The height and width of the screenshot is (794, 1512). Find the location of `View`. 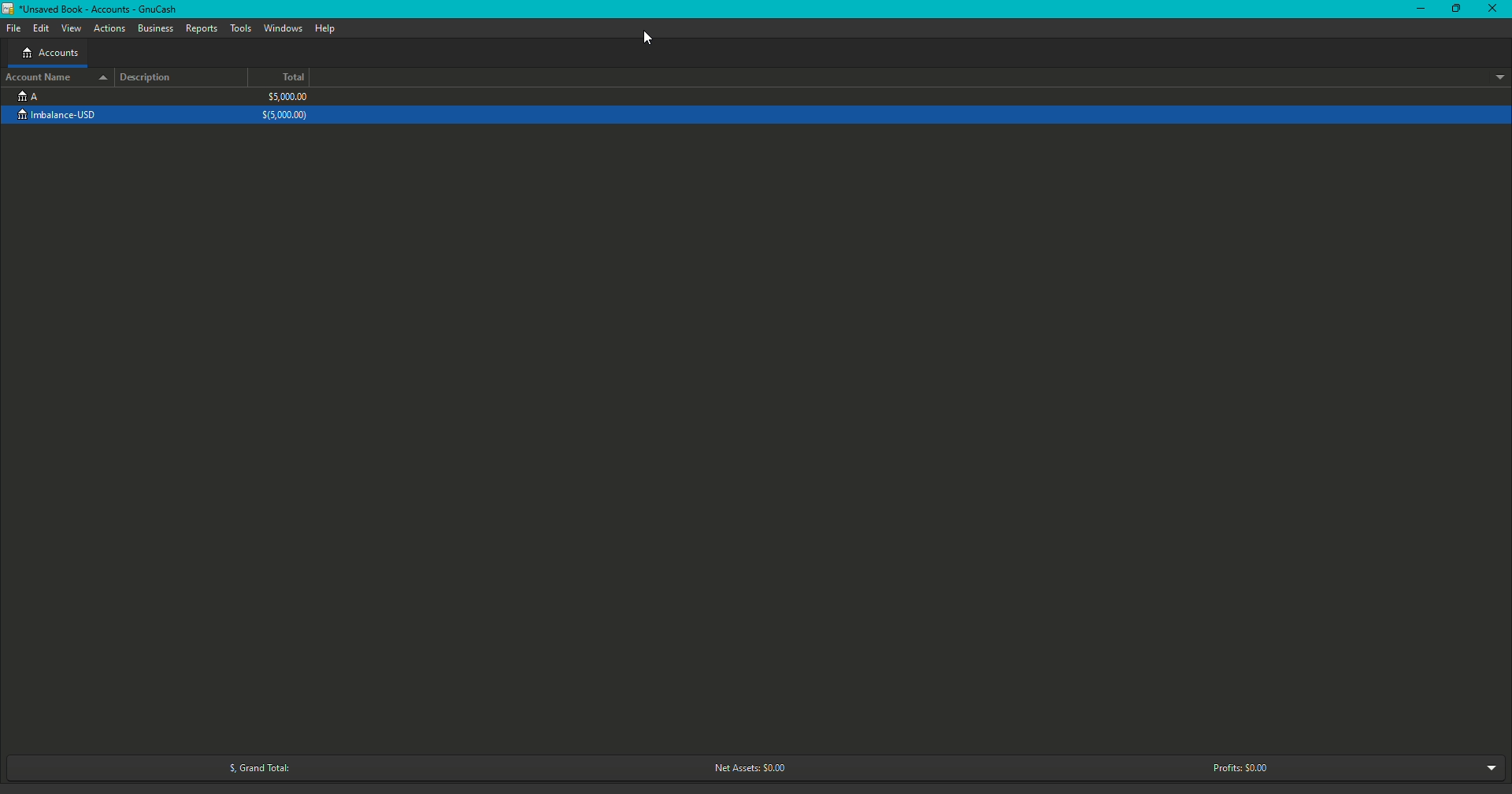

View is located at coordinates (72, 29).